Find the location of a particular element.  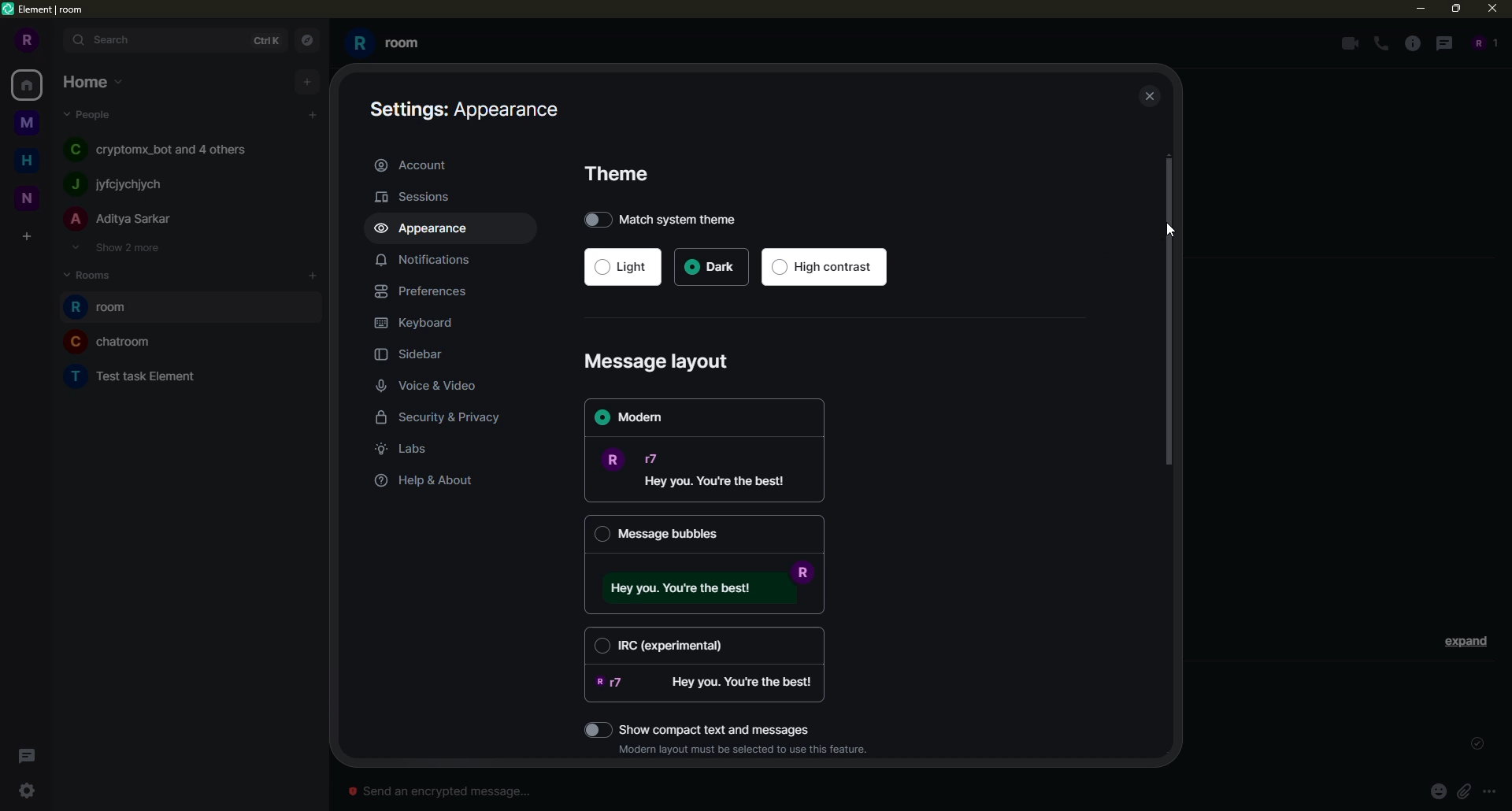

room is located at coordinates (105, 308).